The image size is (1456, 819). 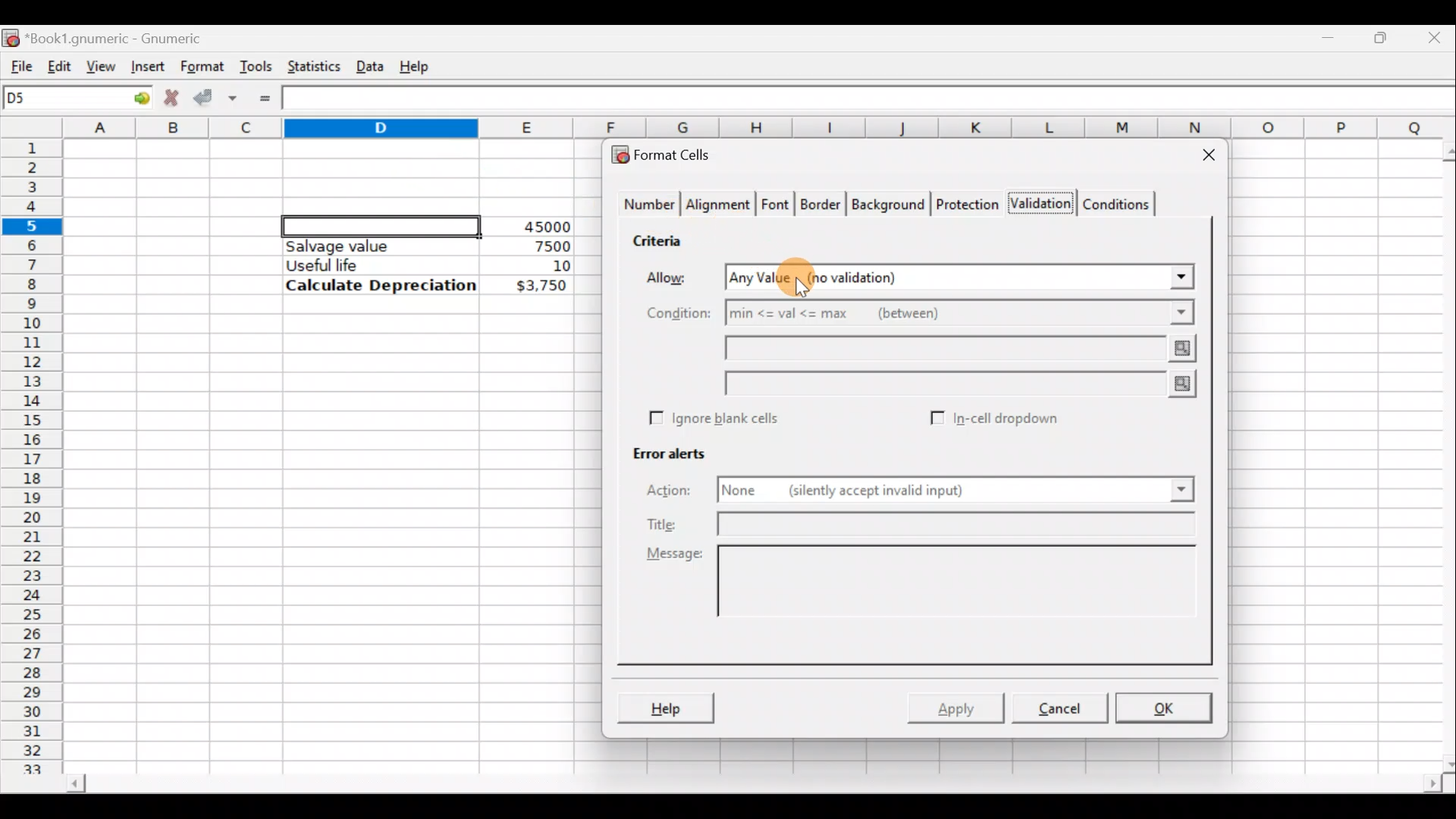 I want to click on Number, so click(x=645, y=206).